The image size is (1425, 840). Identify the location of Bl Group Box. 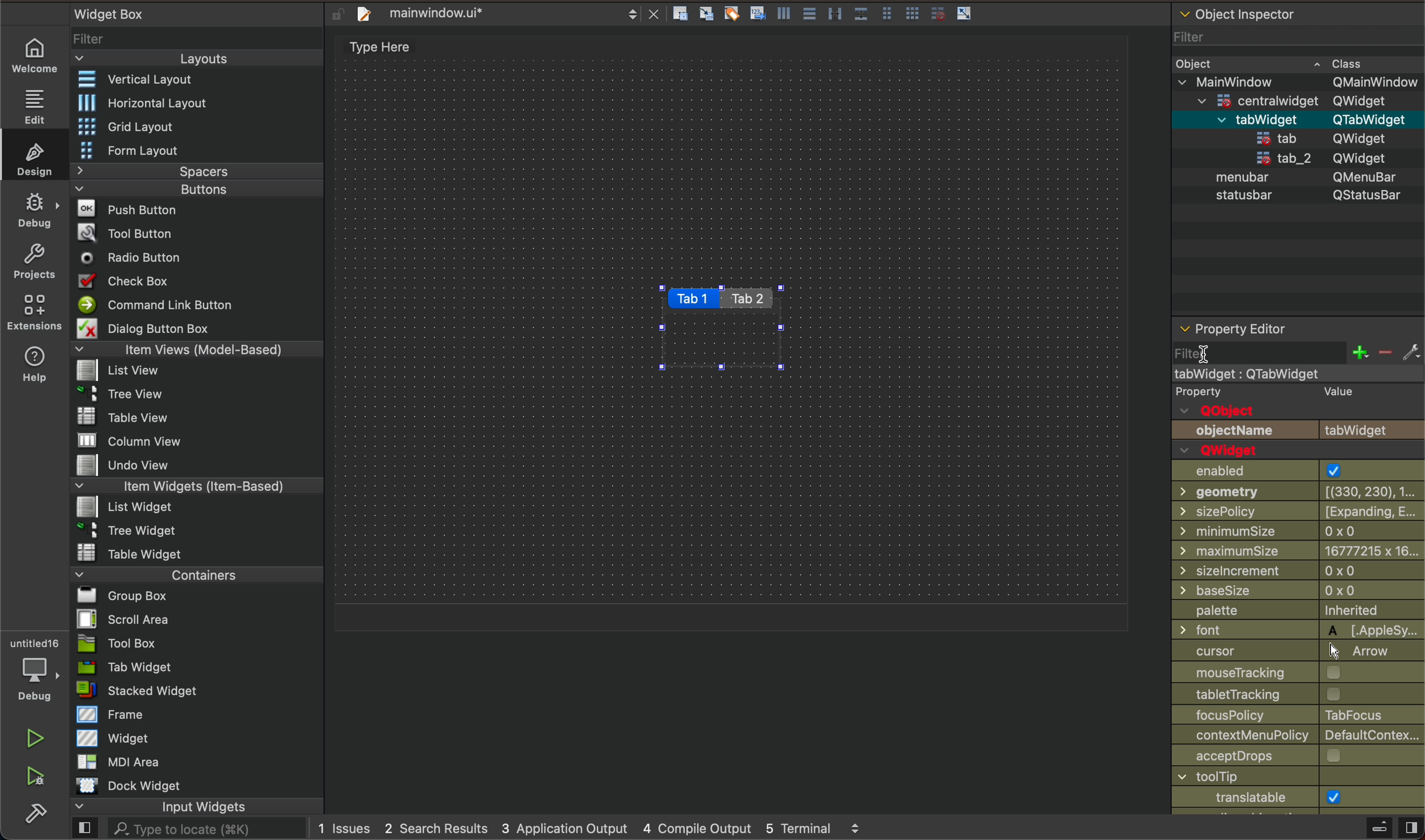
(122, 593).